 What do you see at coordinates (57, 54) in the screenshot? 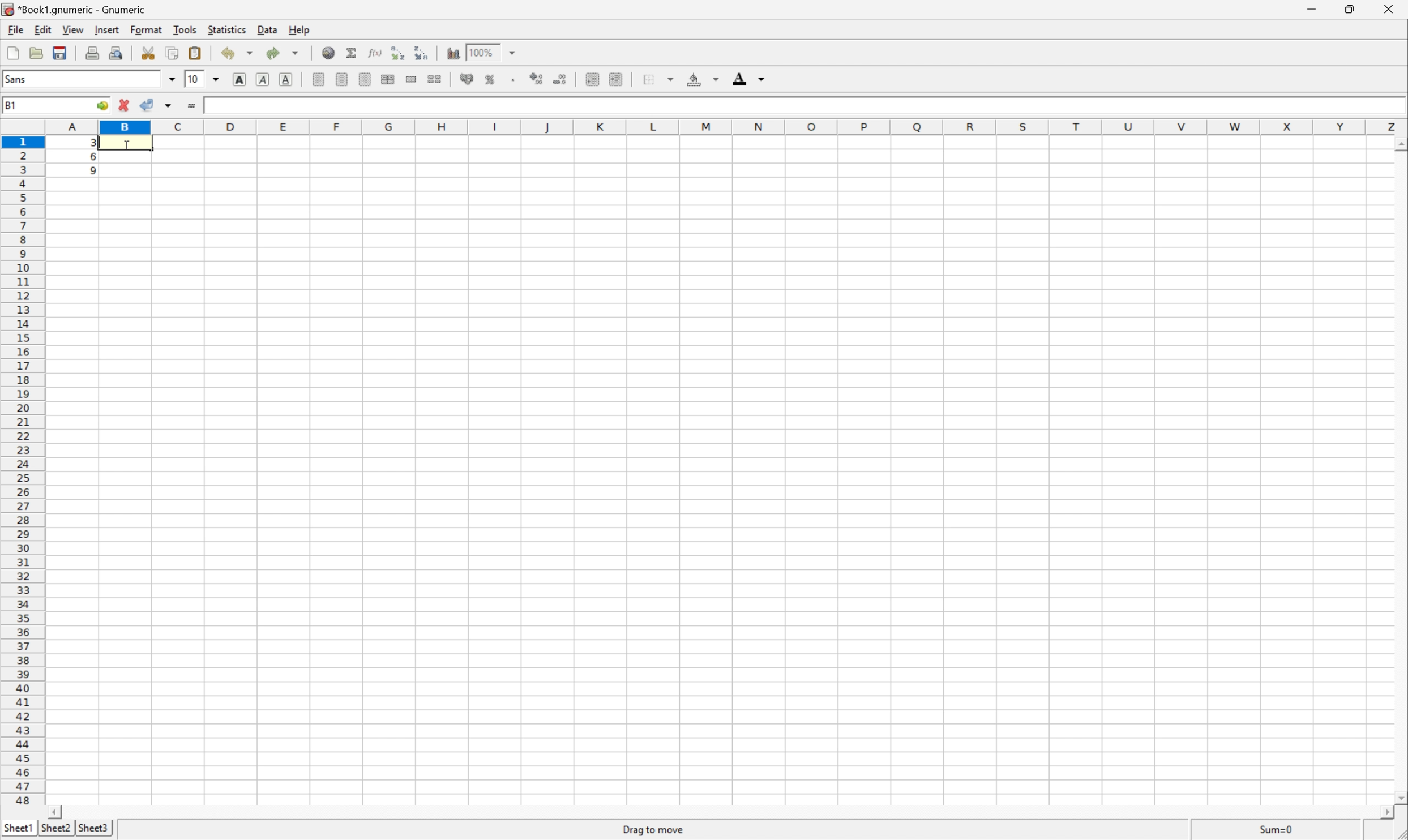
I see `Save current workbook` at bounding box center [57, 54].